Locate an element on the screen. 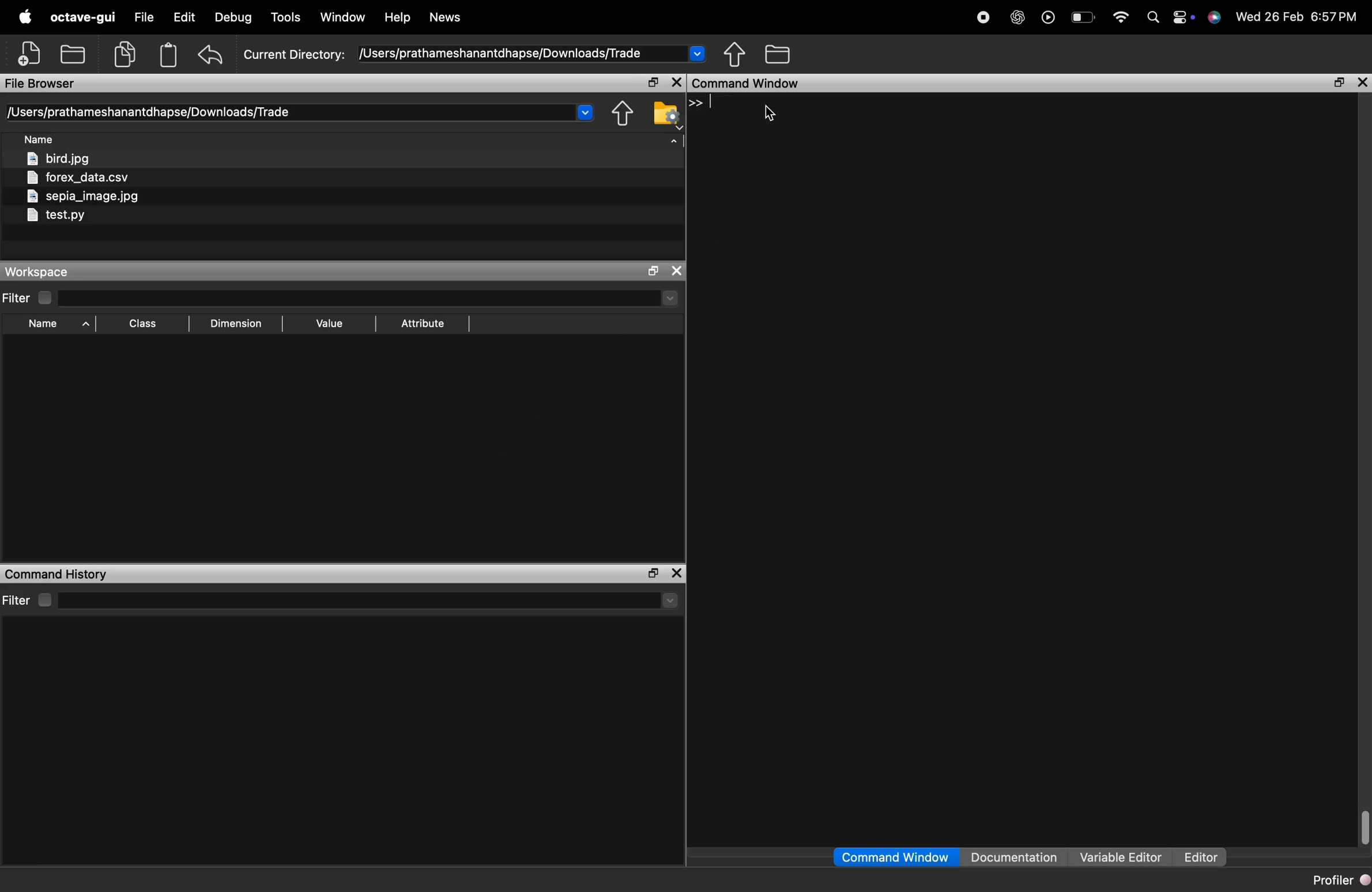 The width and height of the screenshot is (1372, 892). copy is located at coordinates (124, 53).